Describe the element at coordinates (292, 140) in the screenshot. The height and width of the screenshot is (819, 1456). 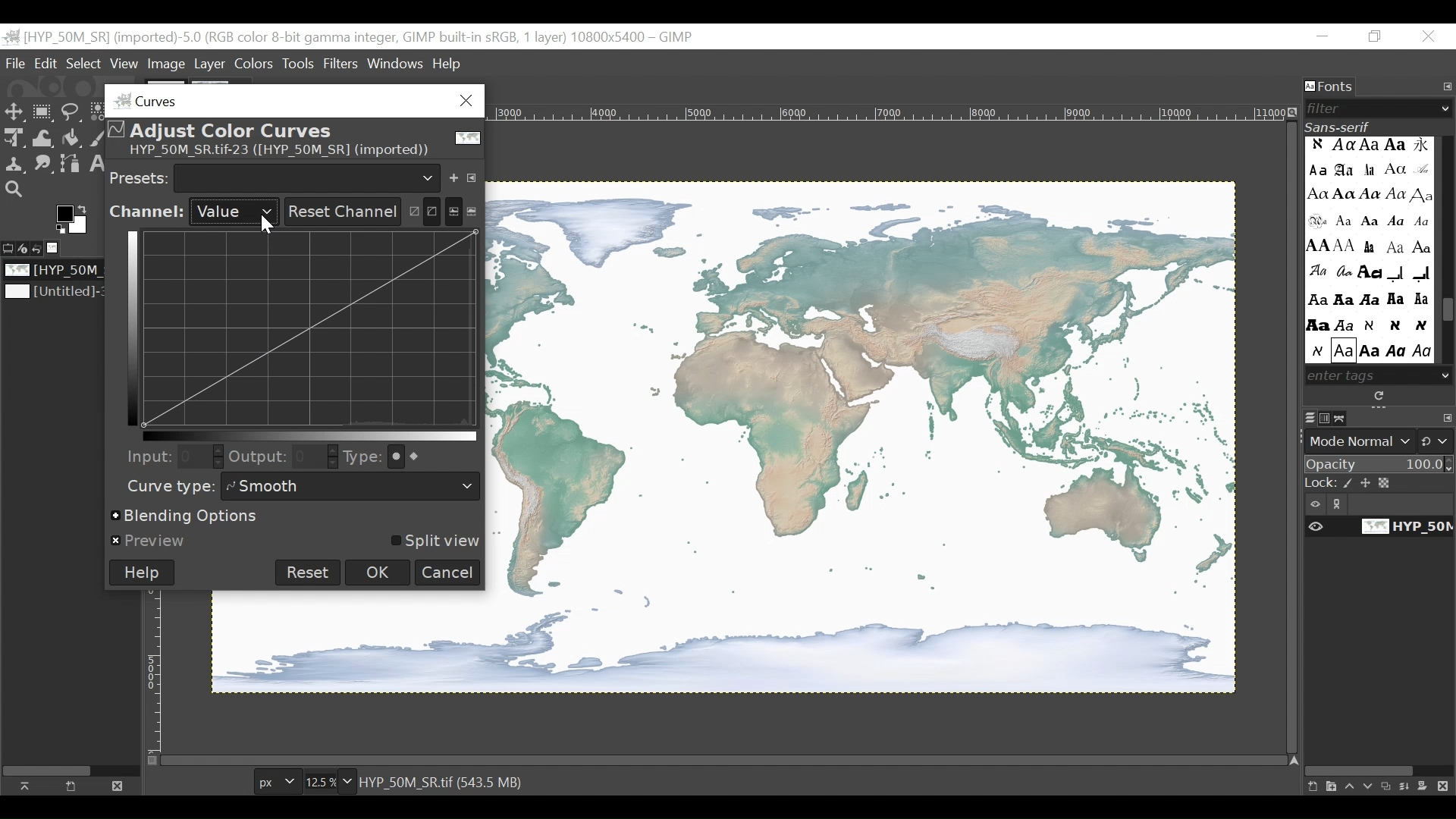
I see `Adjust Color Curves for the Image` at that location.